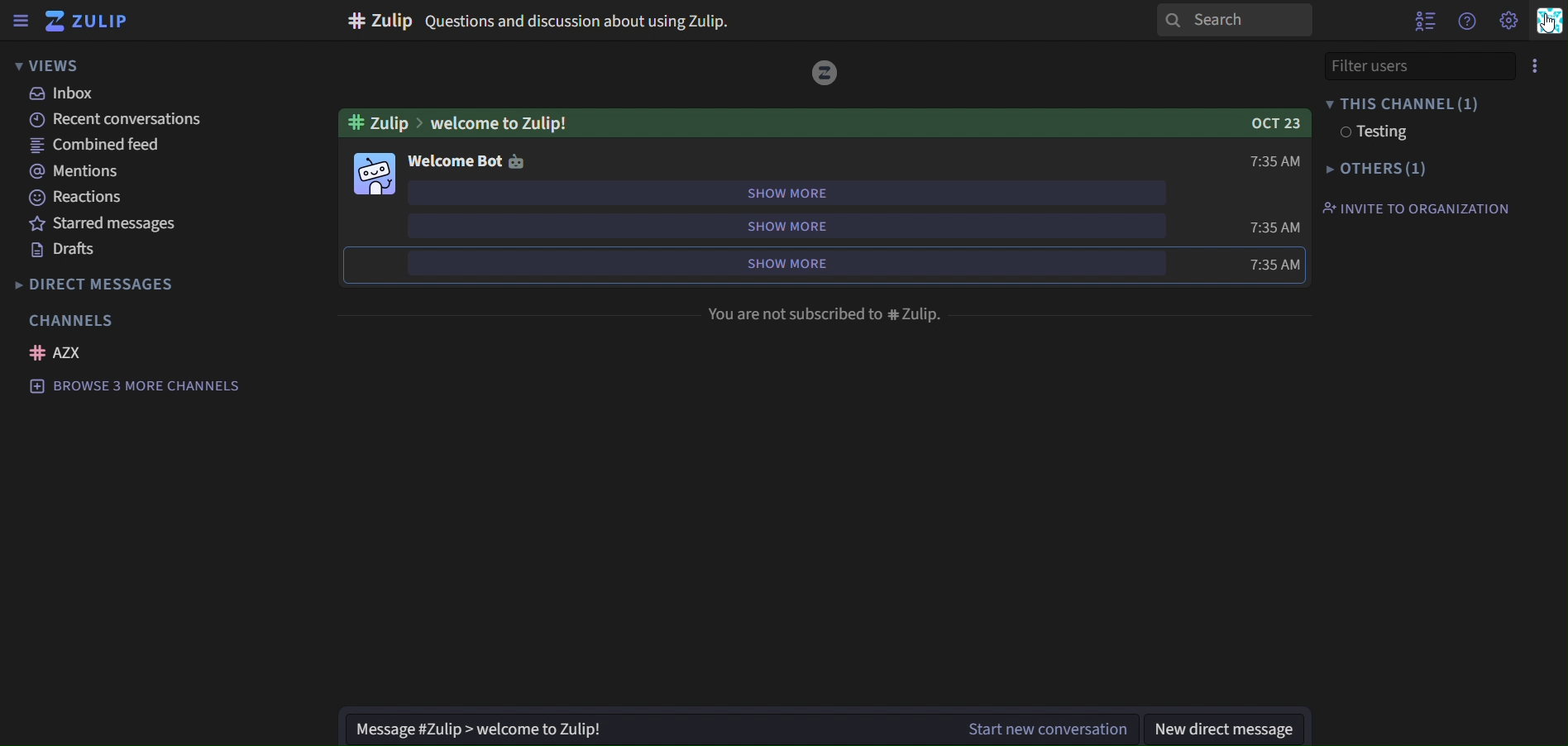 This screenshot has width=1568, height=746. What do you see at coordinates (1374, 170) in the screenshot?
I see `others` at bounding box center [1374, 170].